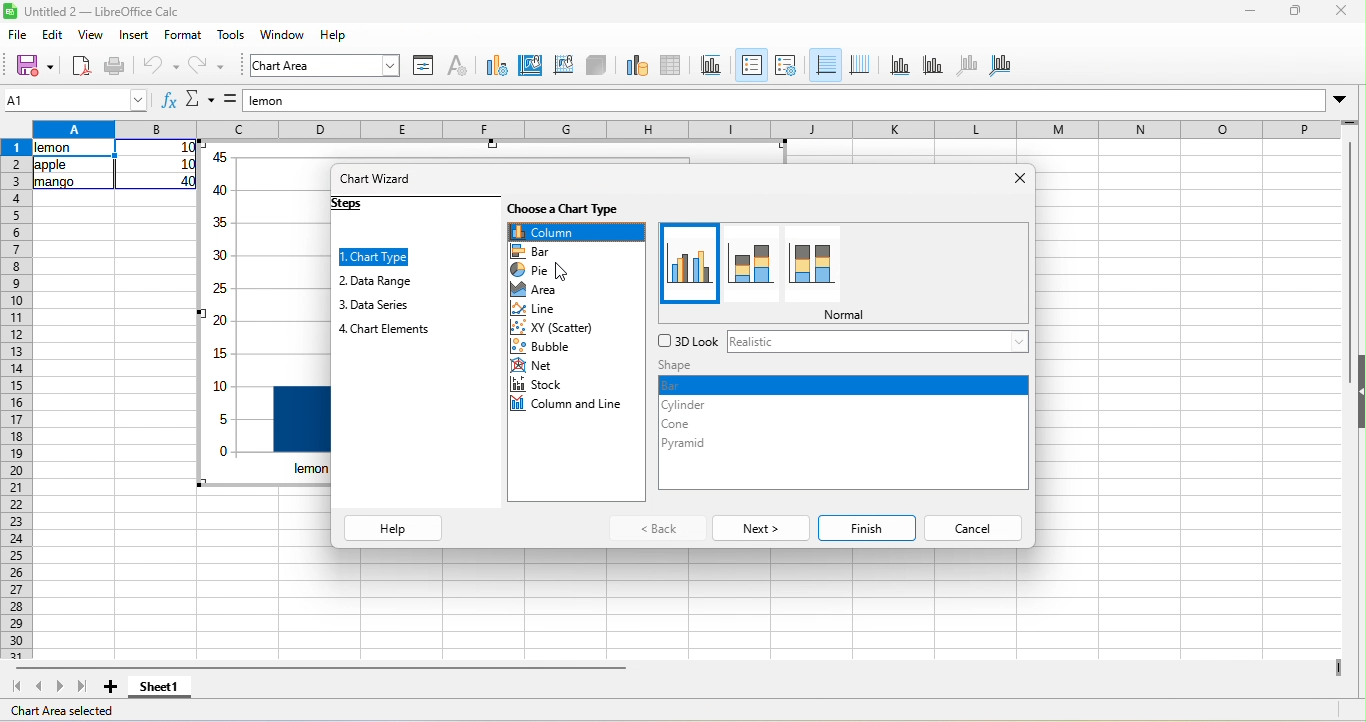  I want to click on help, so click(333, 36).